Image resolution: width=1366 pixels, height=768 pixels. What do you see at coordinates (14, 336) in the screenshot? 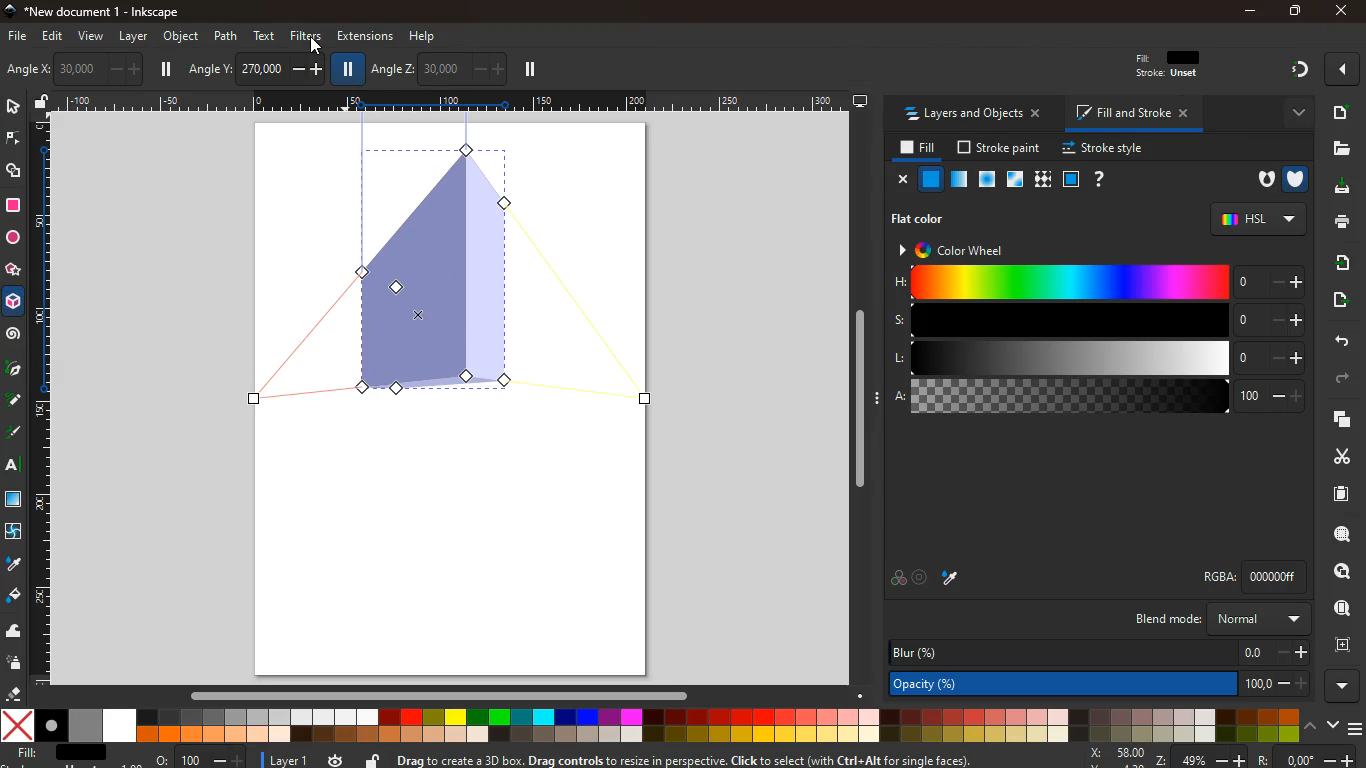
I see `spiral` at bounding box center [14, 336].